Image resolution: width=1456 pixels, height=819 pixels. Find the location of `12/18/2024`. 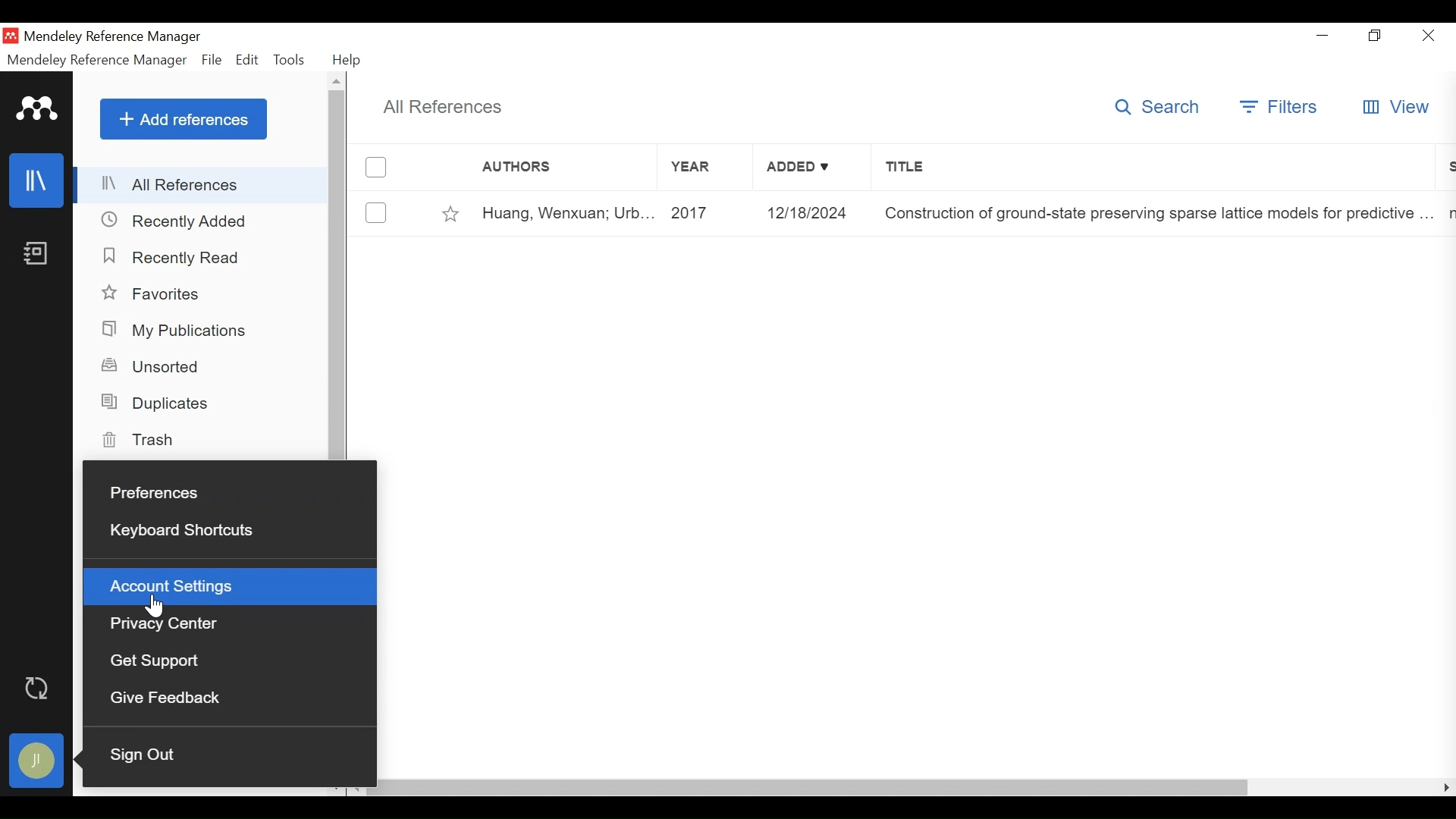

12/18/2024 is located at coordinates (814, 214).